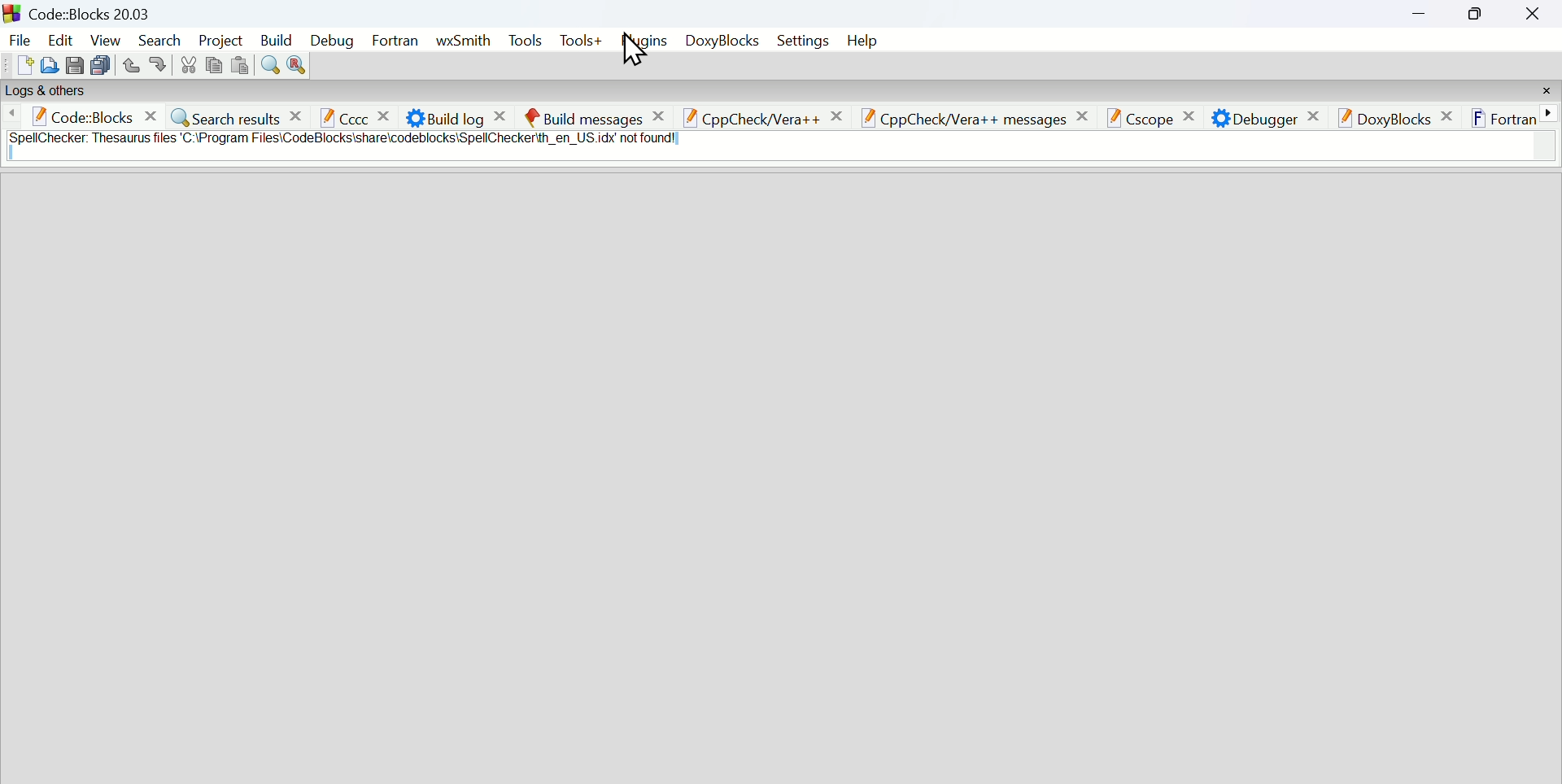 This screenshot has width=1562, height=784. I want to click on Fortran, so click(397, 40).